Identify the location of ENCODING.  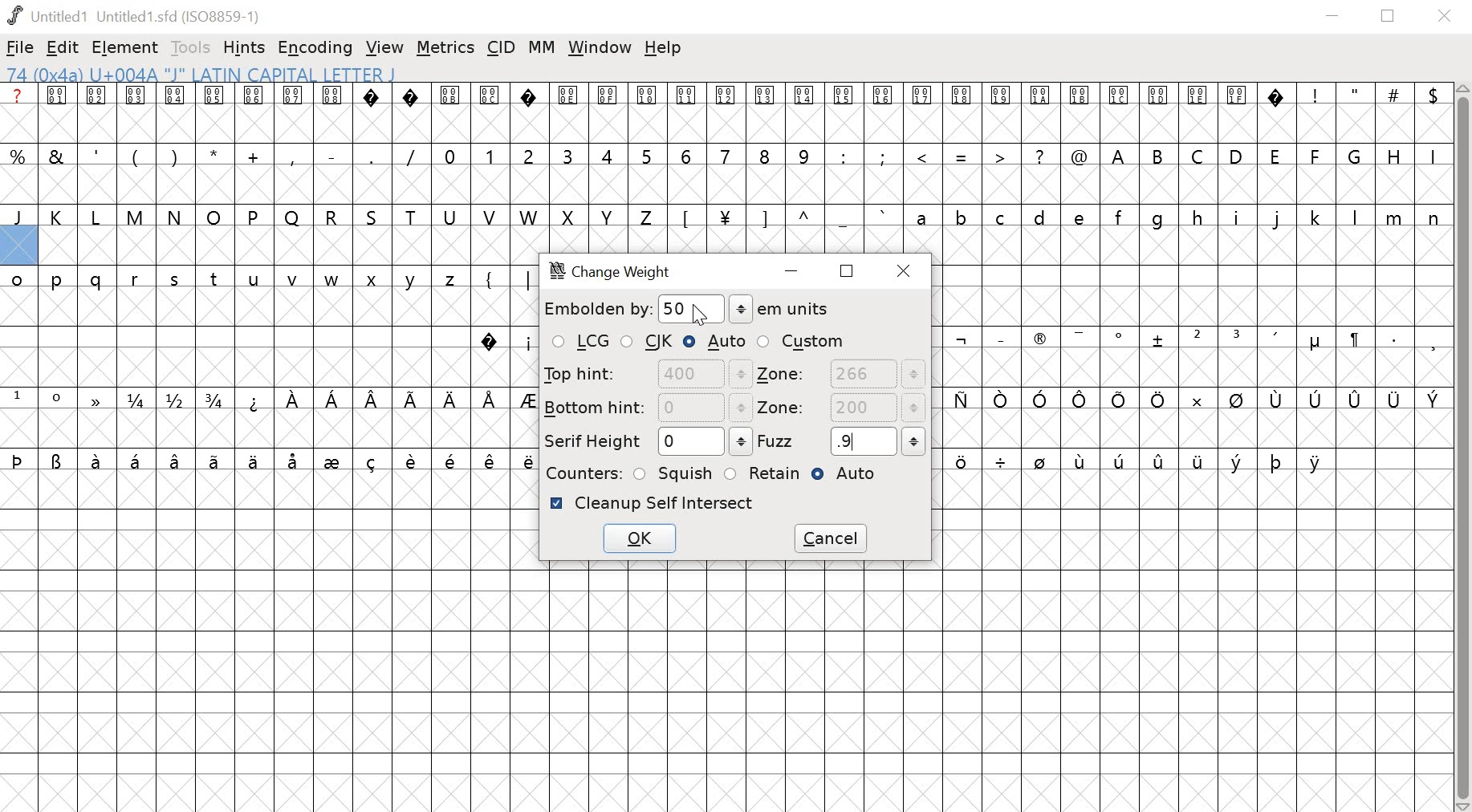
(315, 48).